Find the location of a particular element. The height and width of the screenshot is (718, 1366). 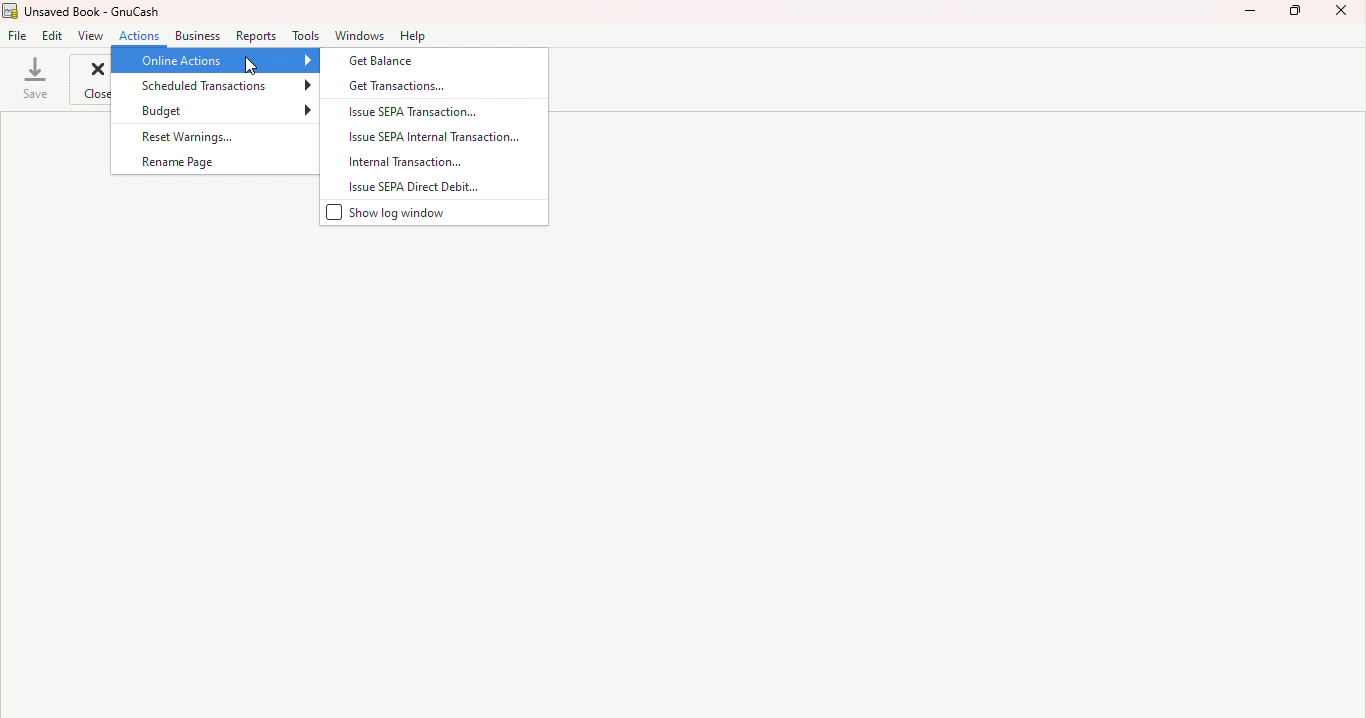

Budget is located at coordinates (219, 110).